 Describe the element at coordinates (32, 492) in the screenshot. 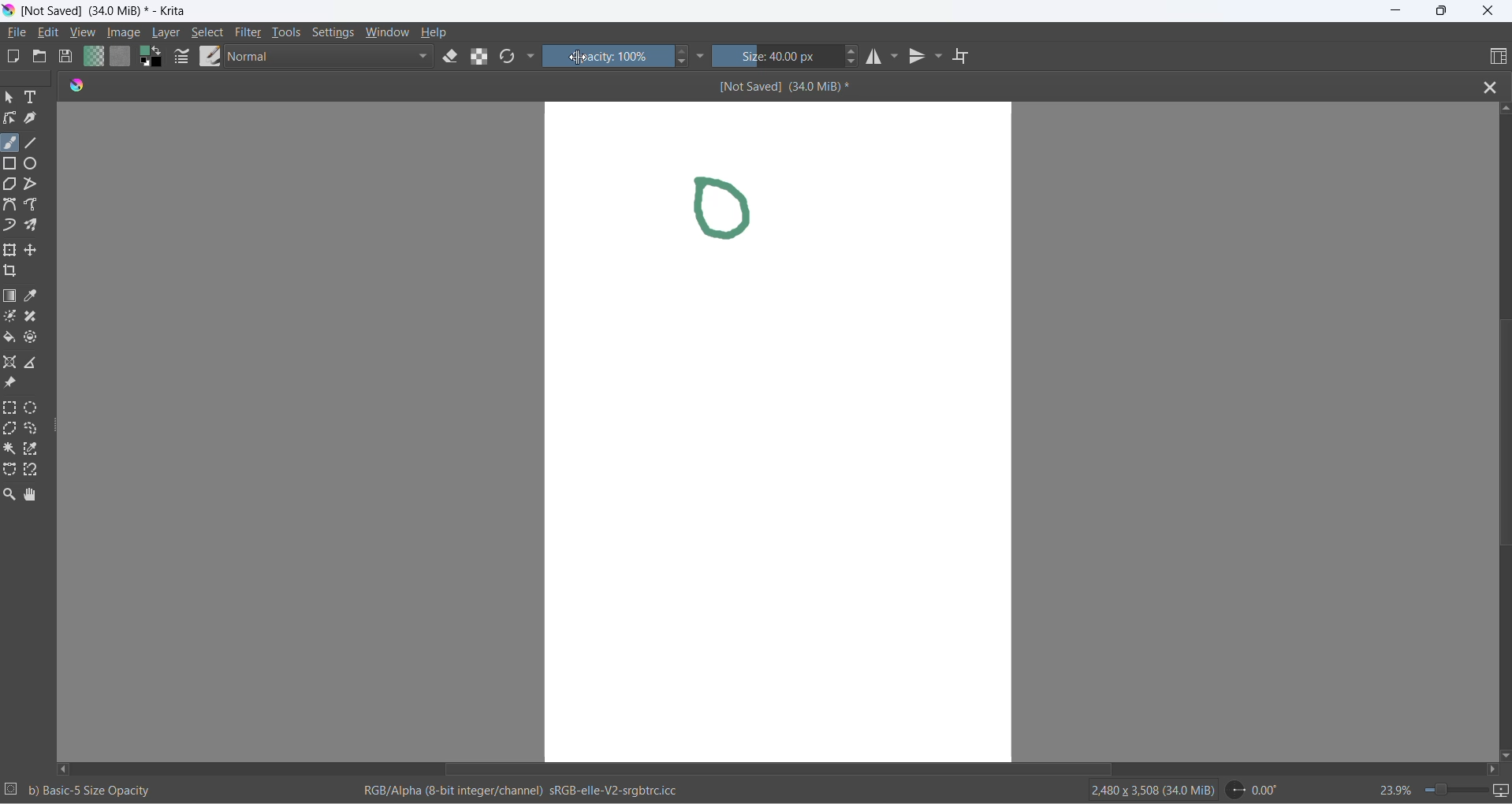

I see `pan tool` at that location.